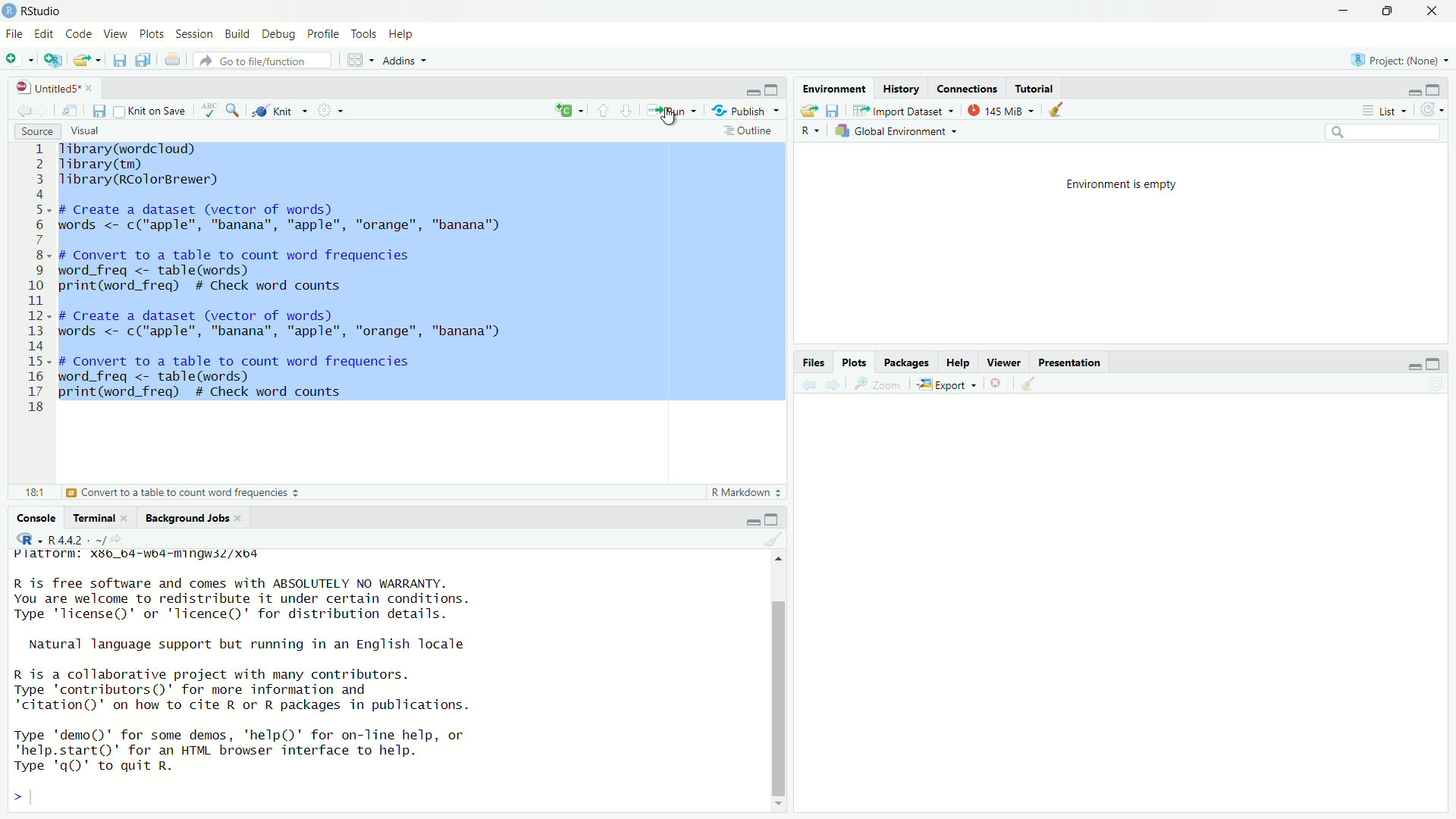 The height and width of the screenshot is (819, 1456). Describe the element at coordinates (195, 517) in the screenshot. I see `Background Jobs` at that location.